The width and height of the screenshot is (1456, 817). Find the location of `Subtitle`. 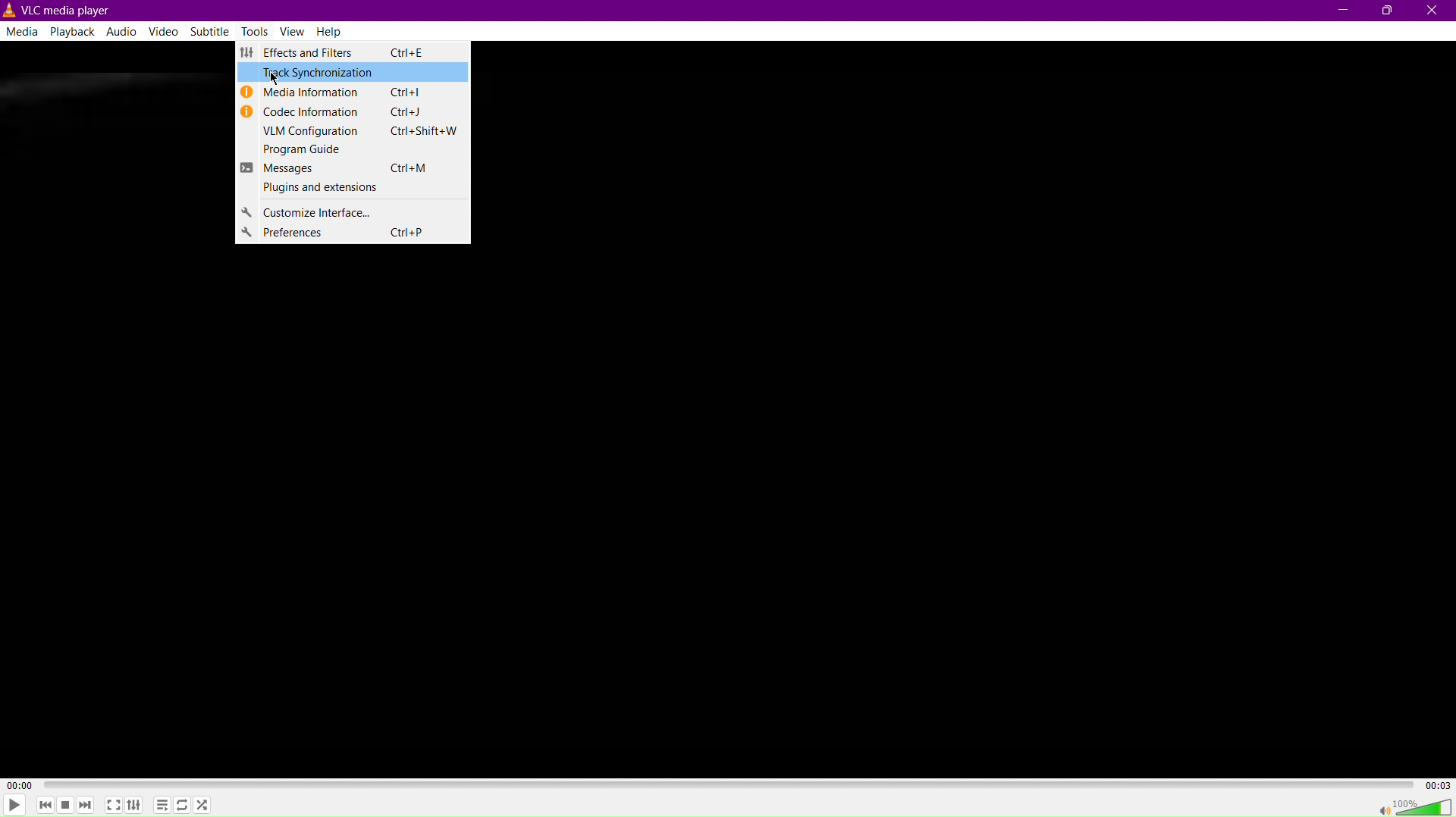

Subtitle is located at coordinates (212, 32).